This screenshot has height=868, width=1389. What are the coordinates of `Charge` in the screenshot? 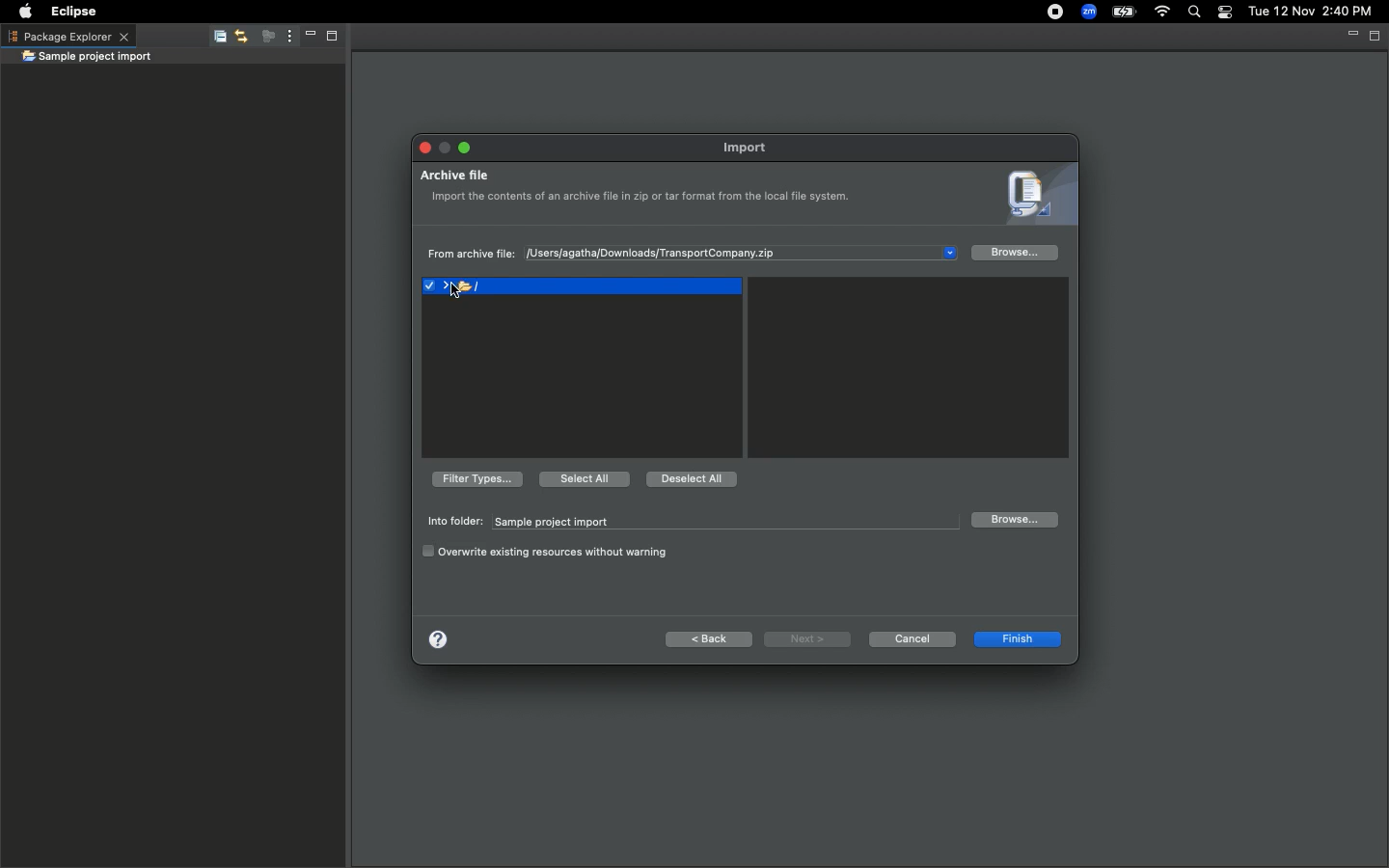 It's located at (1126, 12).